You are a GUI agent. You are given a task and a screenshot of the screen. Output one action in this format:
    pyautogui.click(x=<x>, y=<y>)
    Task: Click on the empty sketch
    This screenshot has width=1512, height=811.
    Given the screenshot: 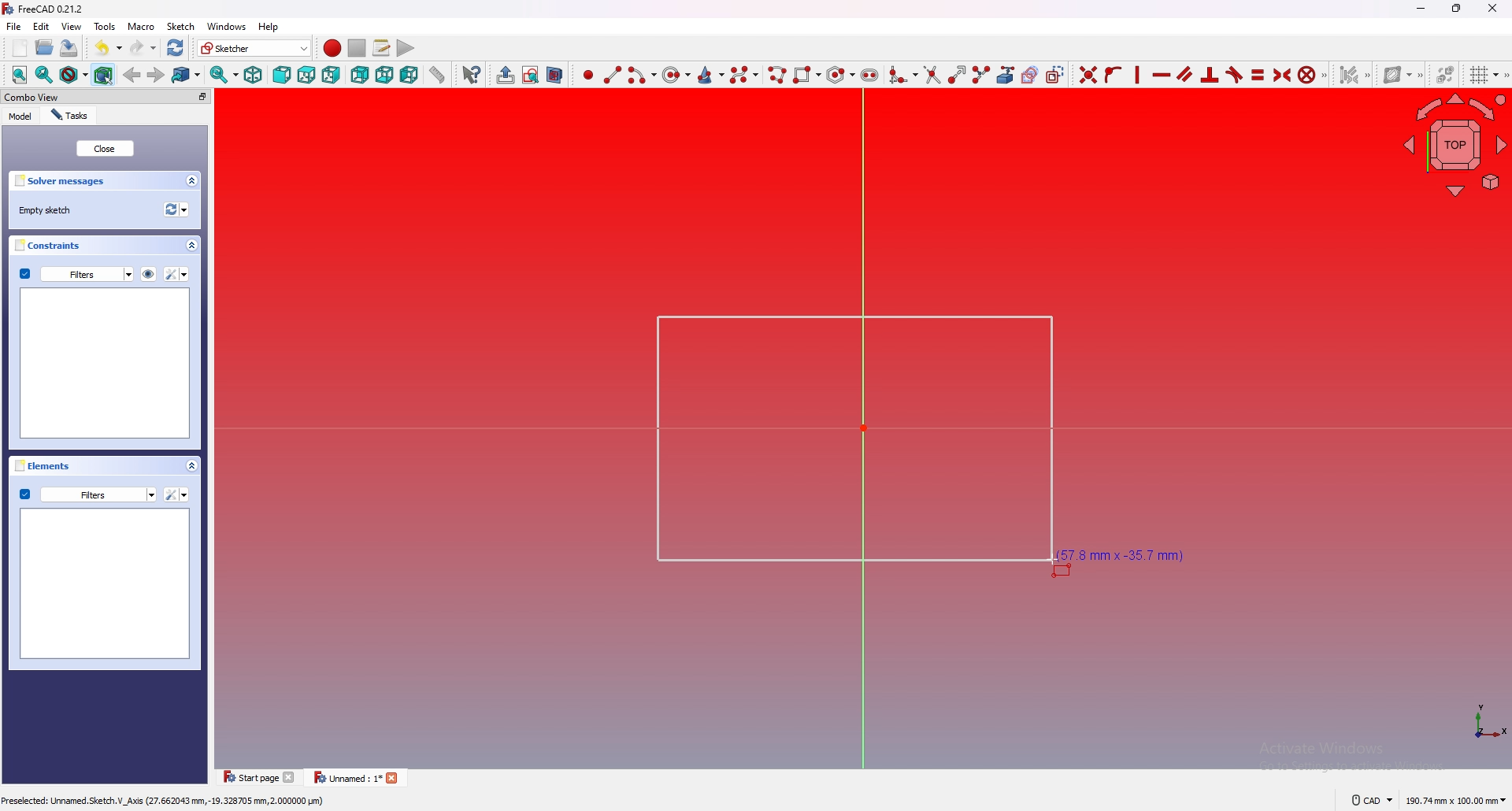 What is the action you would take?
    pyautogui.click(x=47, y=210)
    